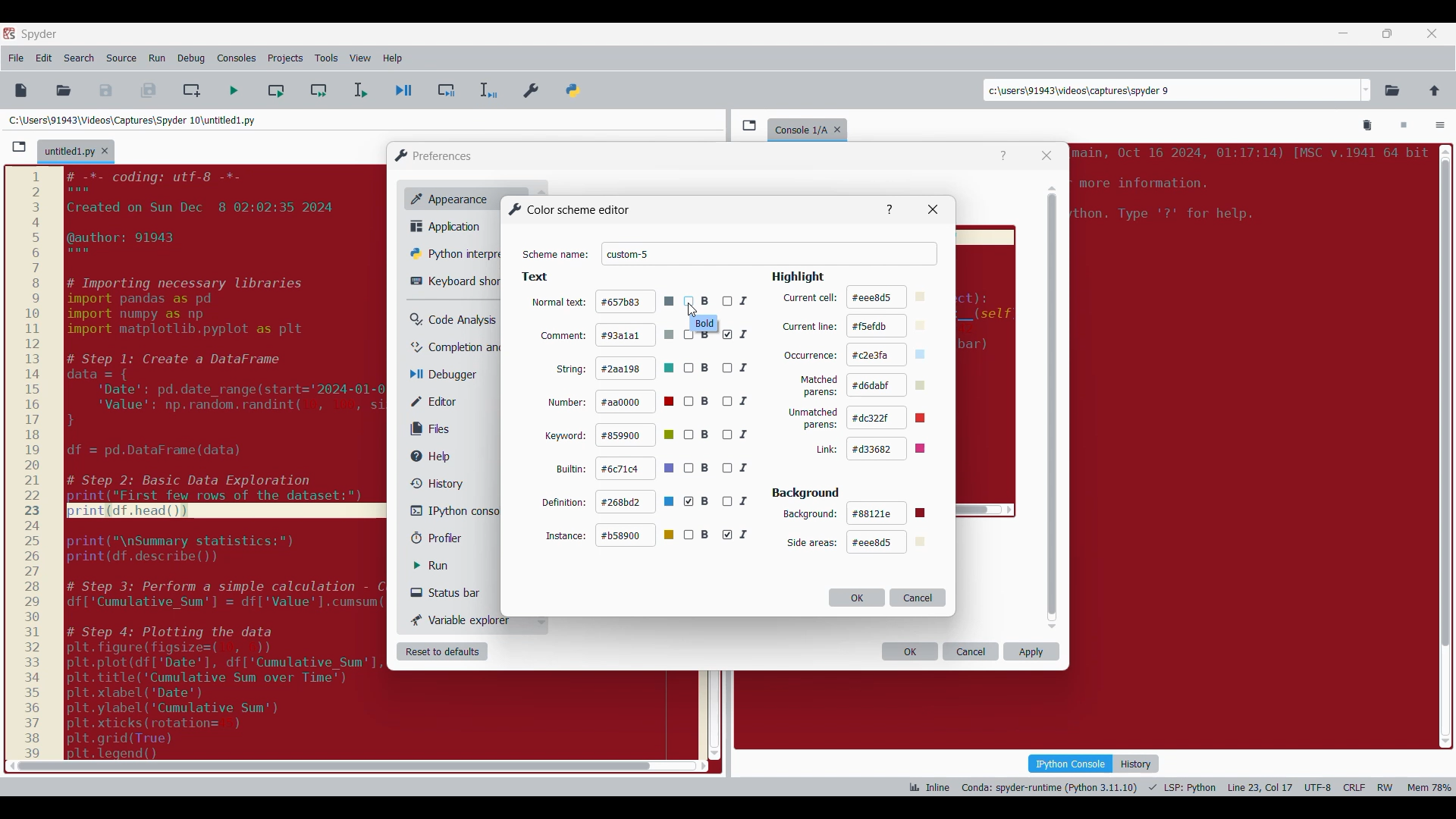 This screenshot has height=819, width=1456. What do you see at coordinates (705, 324) in the screenshot?
I see `bold` at bounding box center [705, 324].